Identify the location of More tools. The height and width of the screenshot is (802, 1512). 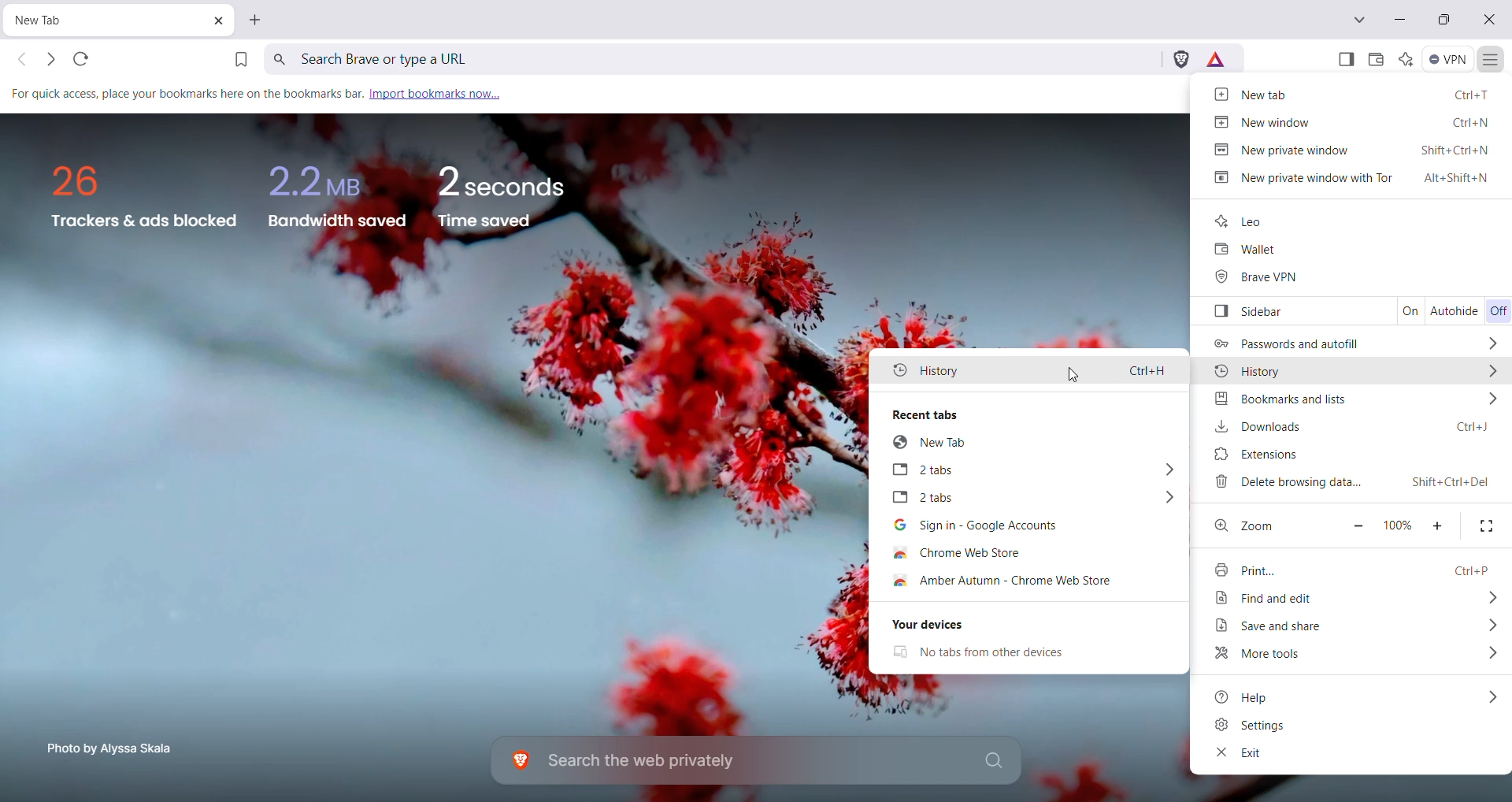
(1356, 654).